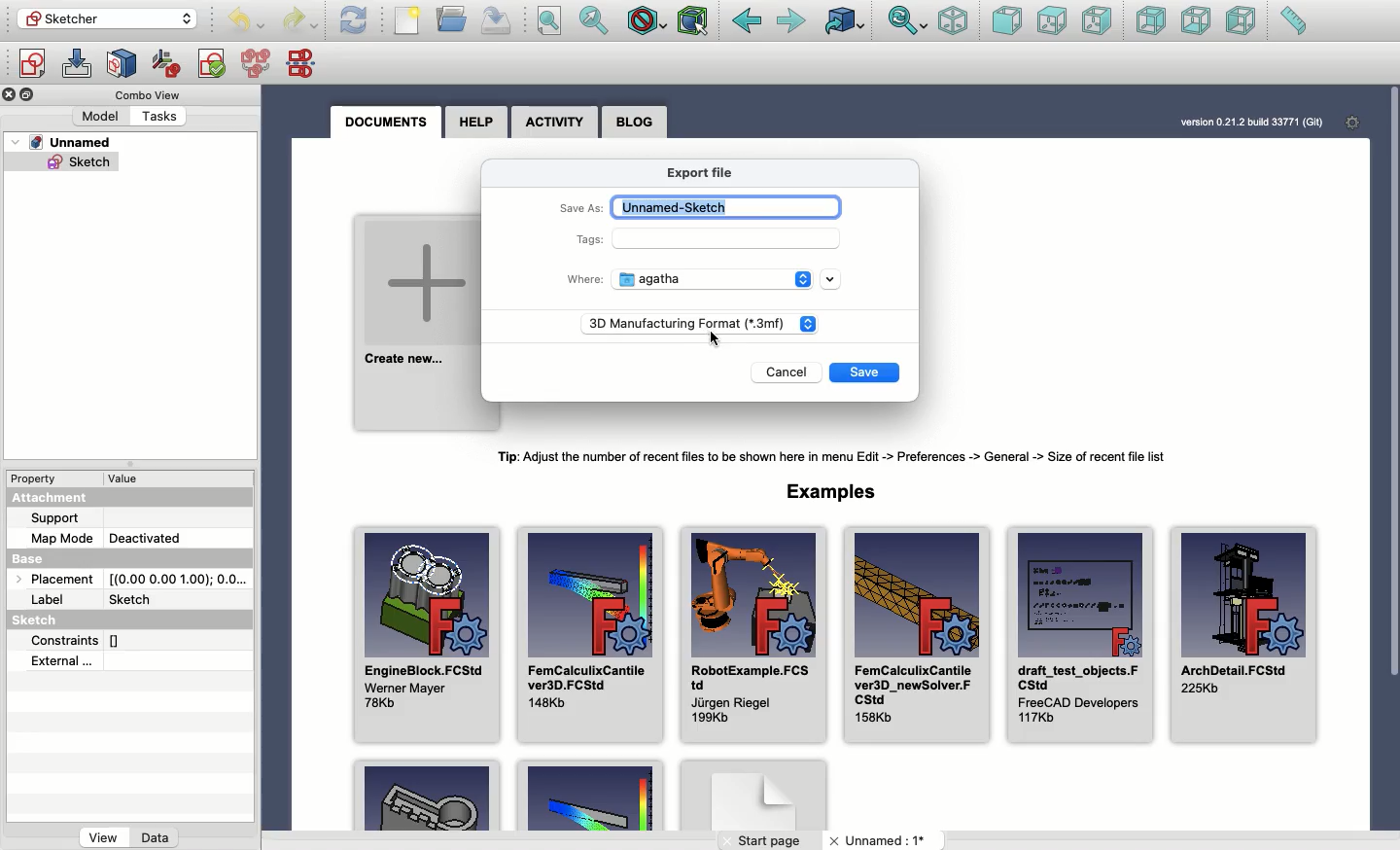 The height and width of the screenshot is (850, 1400). Describe the element at coordinates (114, 662) in the screenshot. I see `External...` at that location.